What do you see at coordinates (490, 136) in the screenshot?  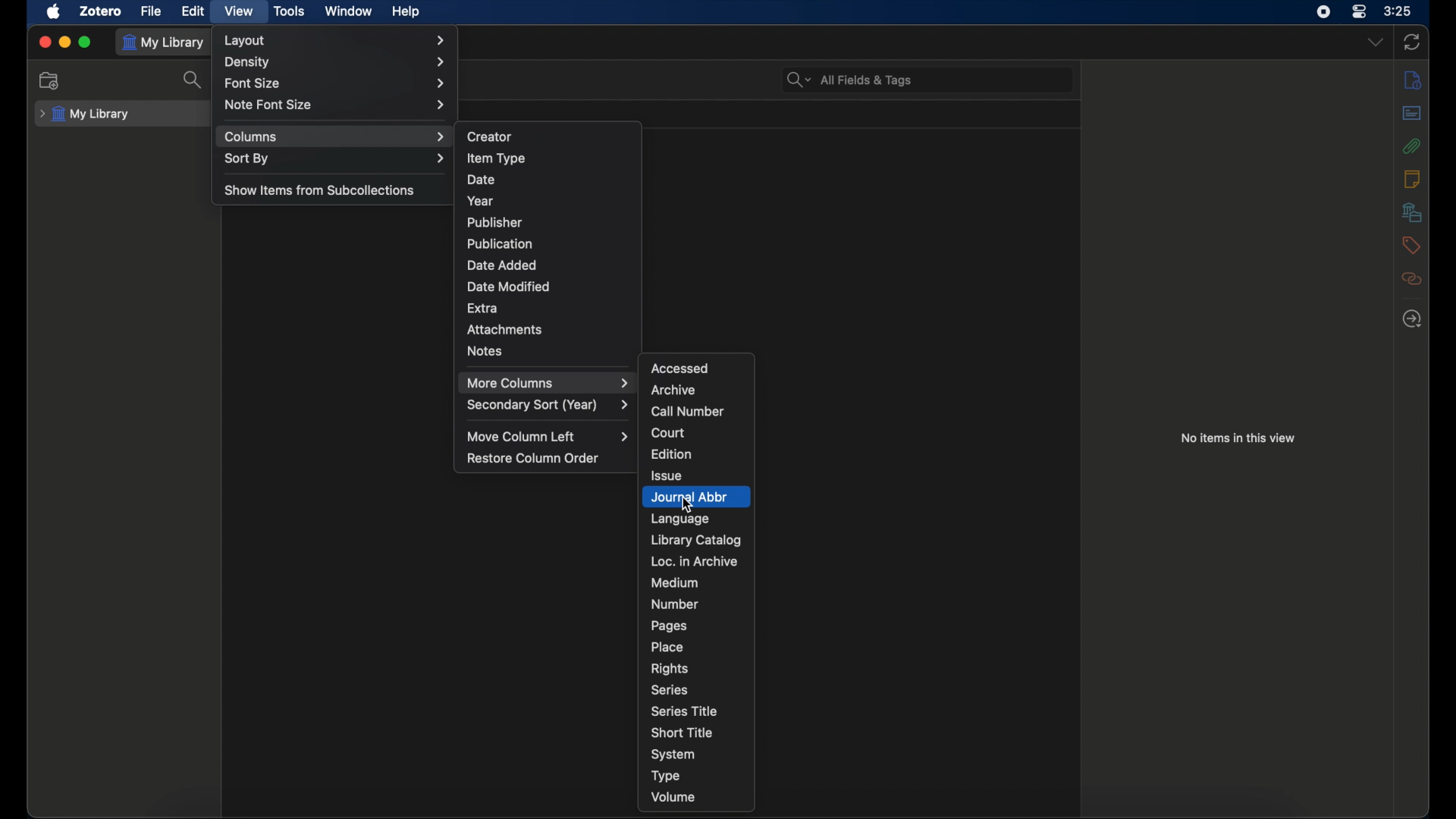 I see `creator` at bounding box center [490, 136].